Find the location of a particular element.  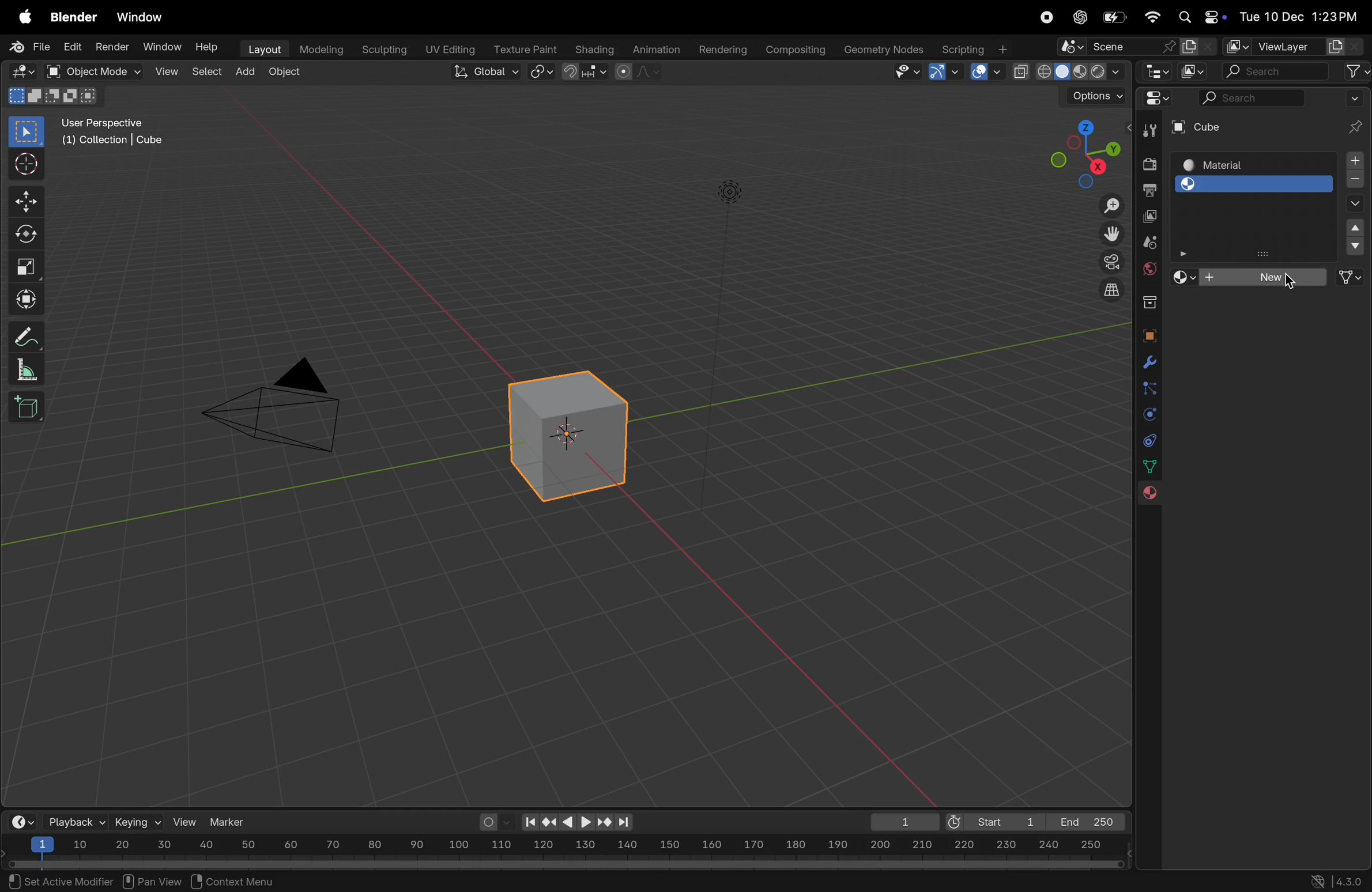

Scripting is located at coordinates (974, 46).